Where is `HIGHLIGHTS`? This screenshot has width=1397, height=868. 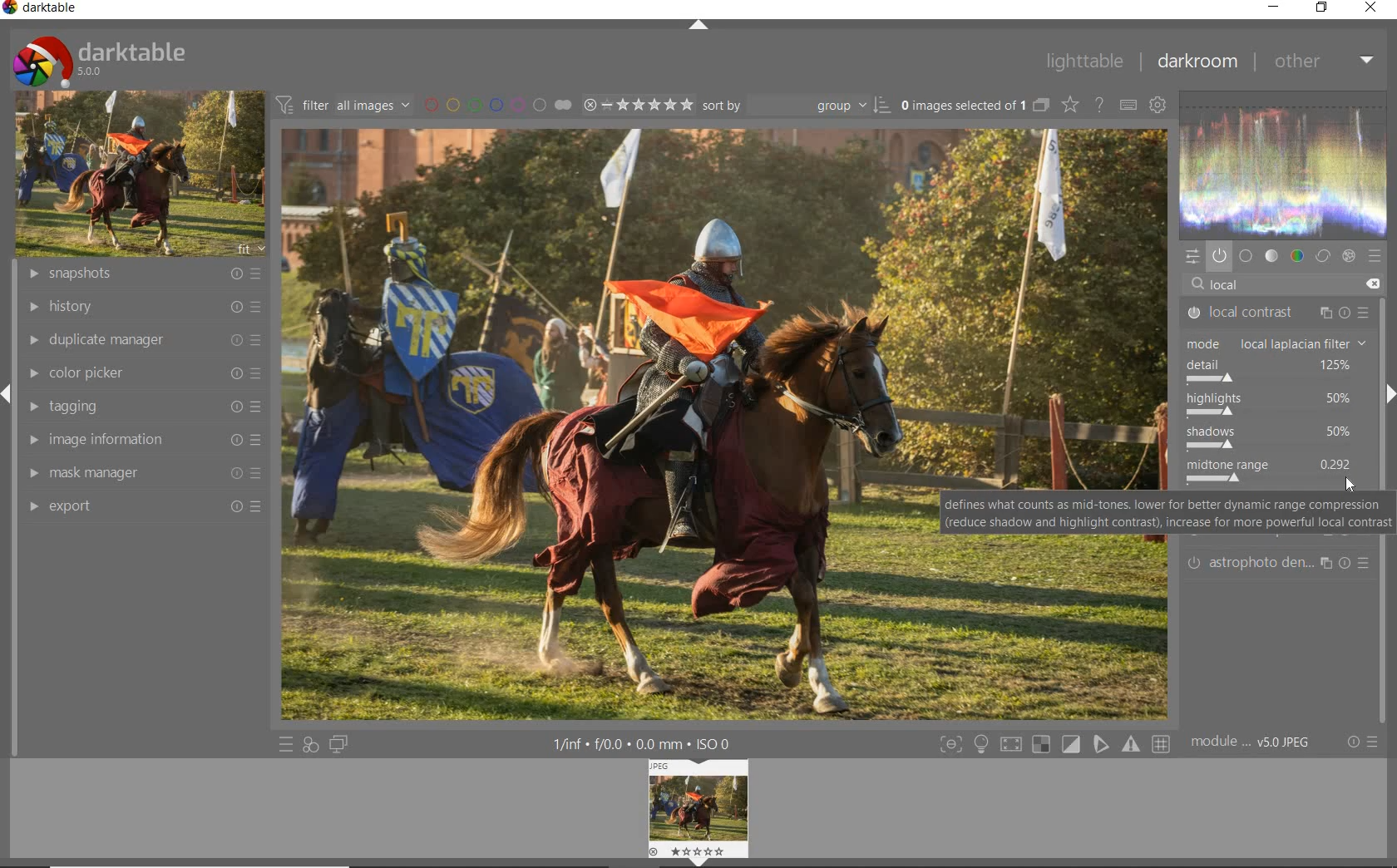 HIGHLIGHTS is located at coordinates (1276, 406).